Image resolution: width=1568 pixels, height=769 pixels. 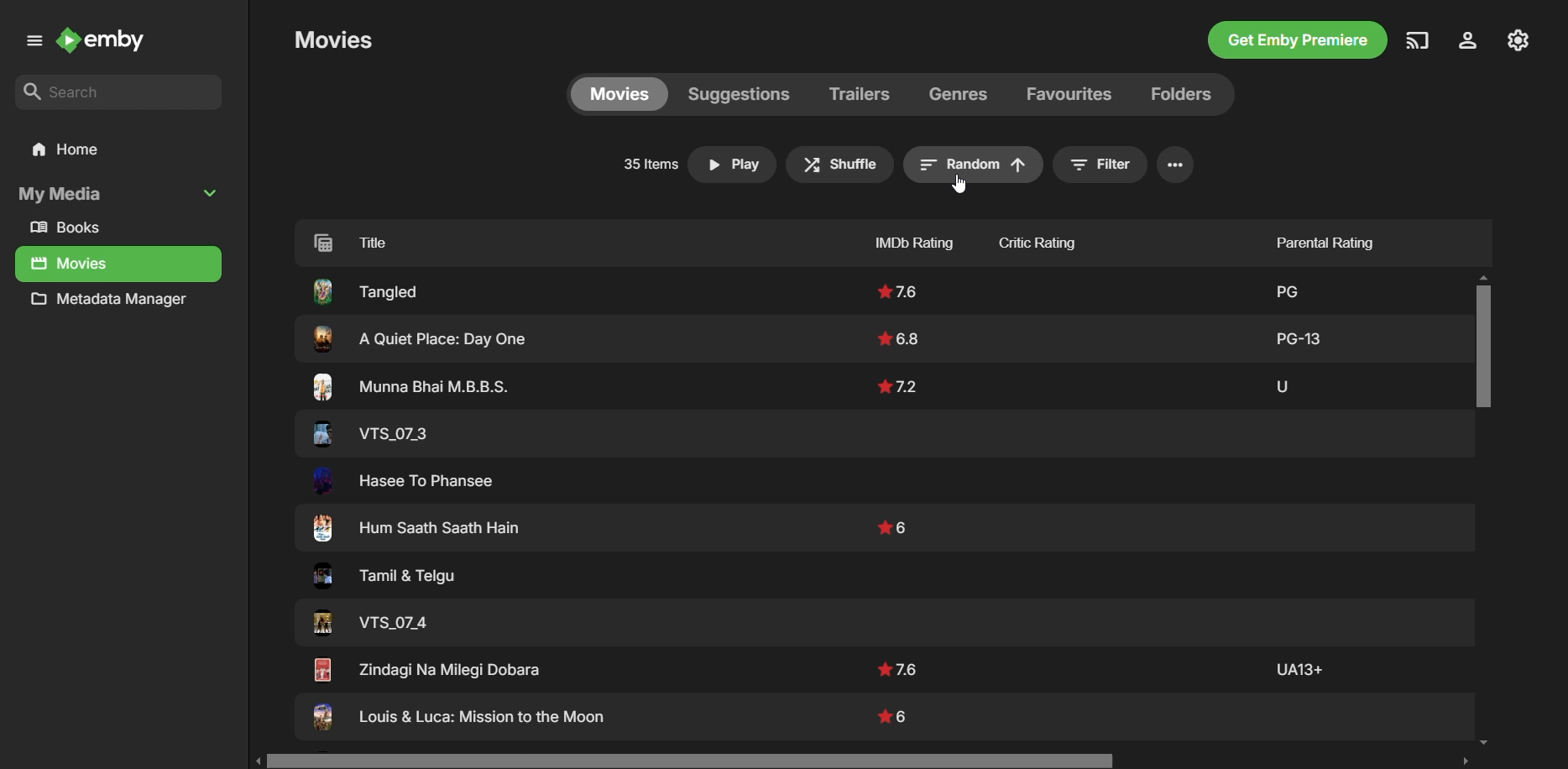 What do you see at coordinates (733, 165) in the screenshot?
I see `Play` at bounding box center [733, 165].